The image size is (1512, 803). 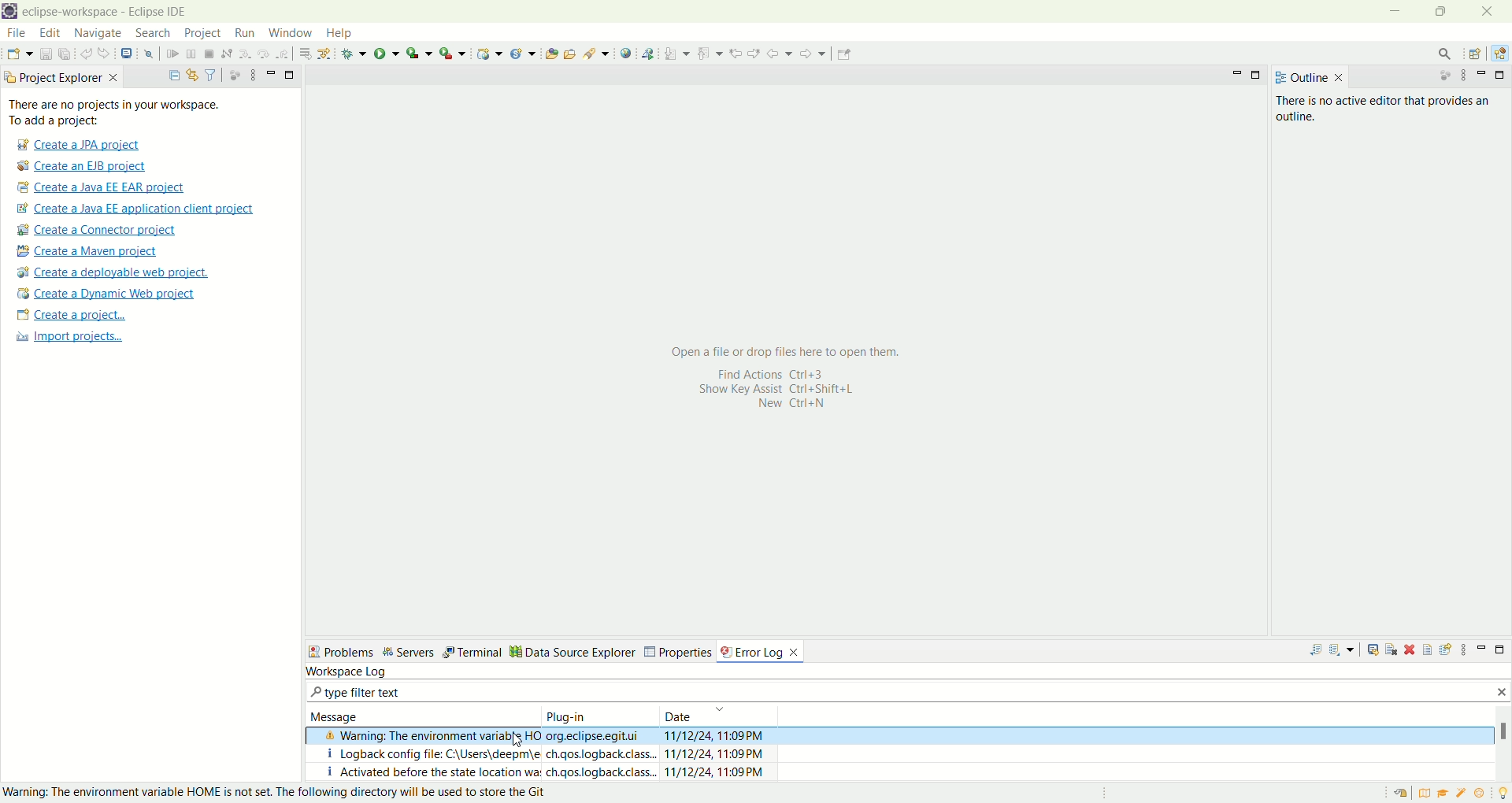 I want to click on plug-in, so click(x=598, y=715).